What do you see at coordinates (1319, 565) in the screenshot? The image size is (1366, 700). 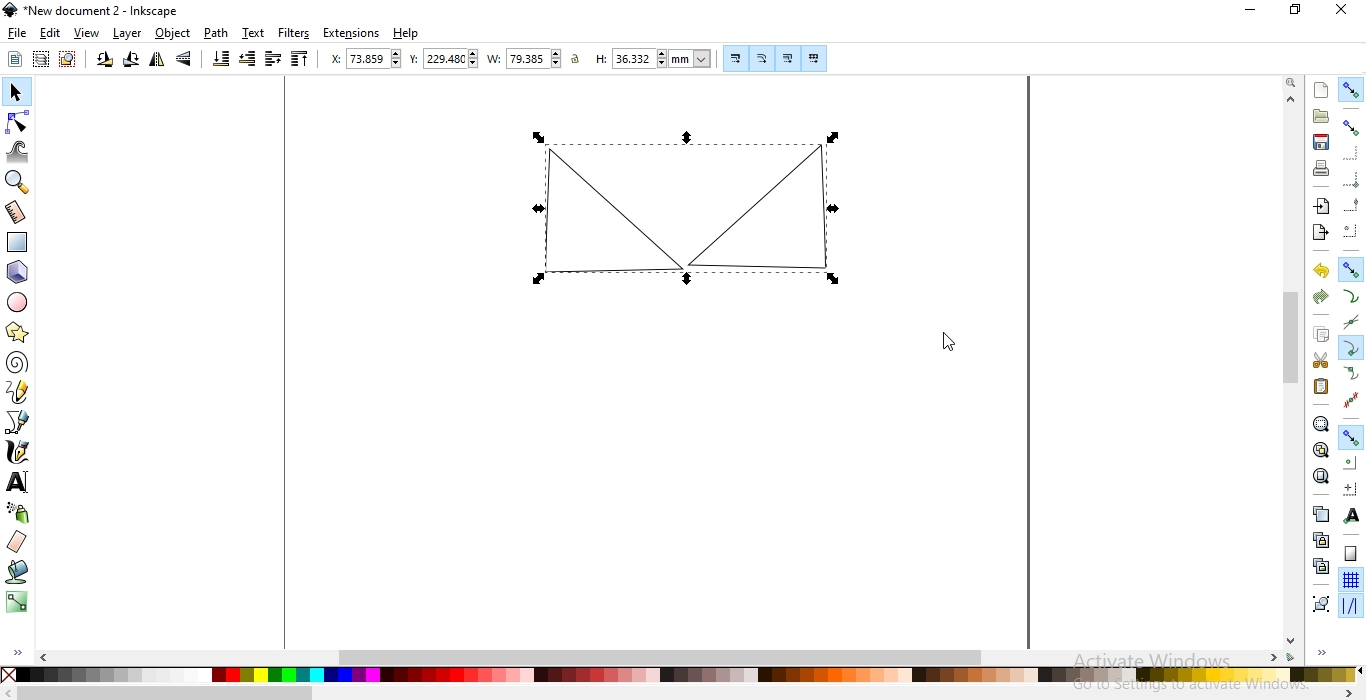 I see `cut the selected clone` at bounding box center [1319, 565].